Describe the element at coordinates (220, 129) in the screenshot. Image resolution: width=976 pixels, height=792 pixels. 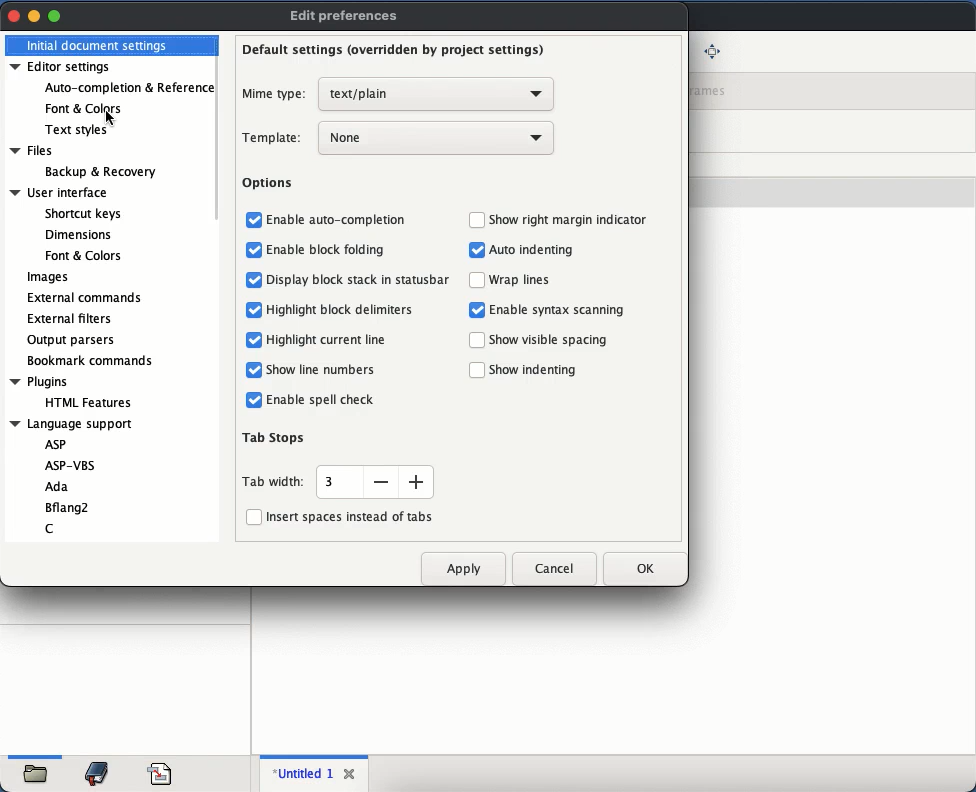
I see `scroll` at that location.